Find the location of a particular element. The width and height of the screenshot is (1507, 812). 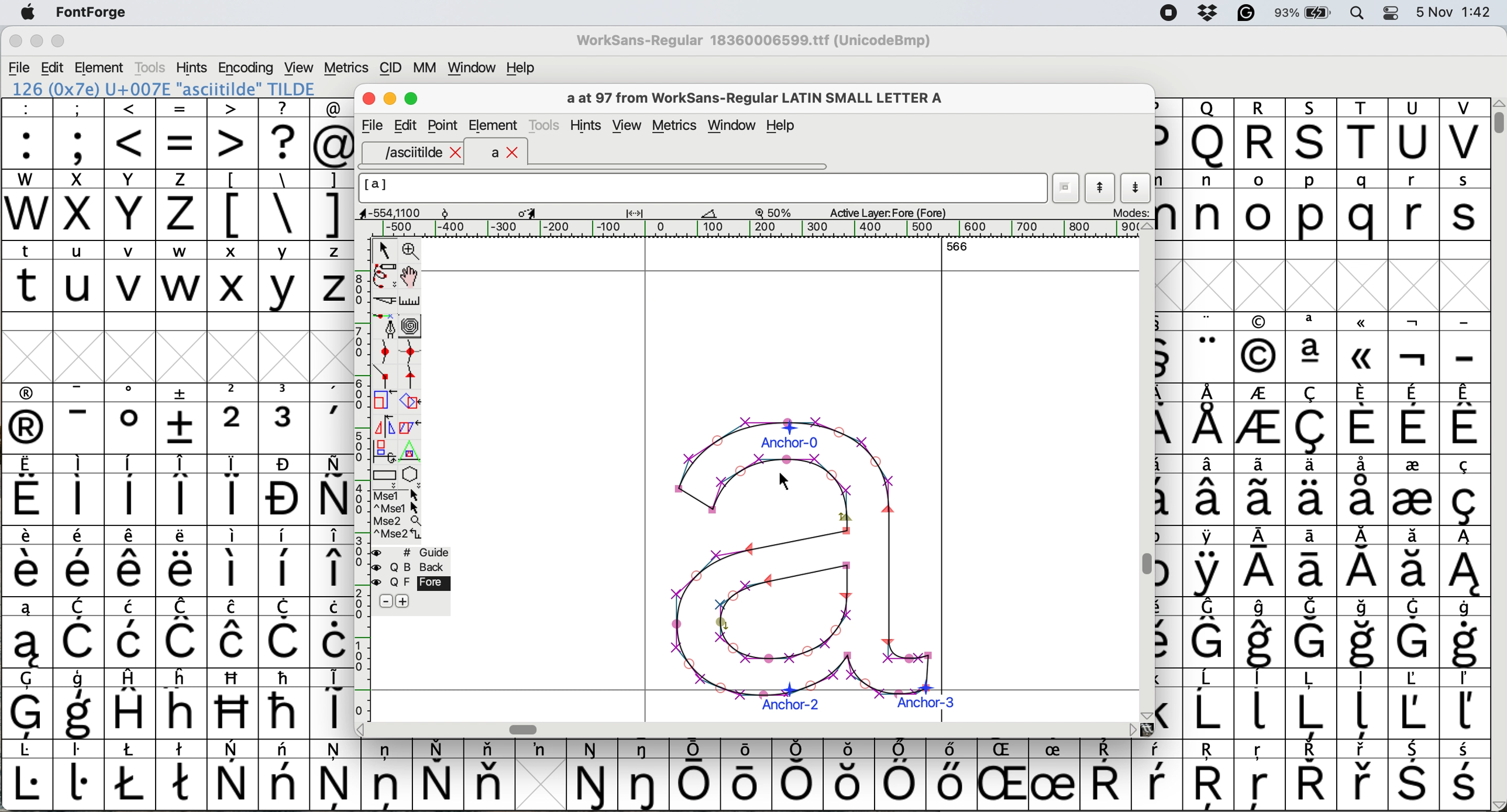

symbol is located at coordinates (540, 749).